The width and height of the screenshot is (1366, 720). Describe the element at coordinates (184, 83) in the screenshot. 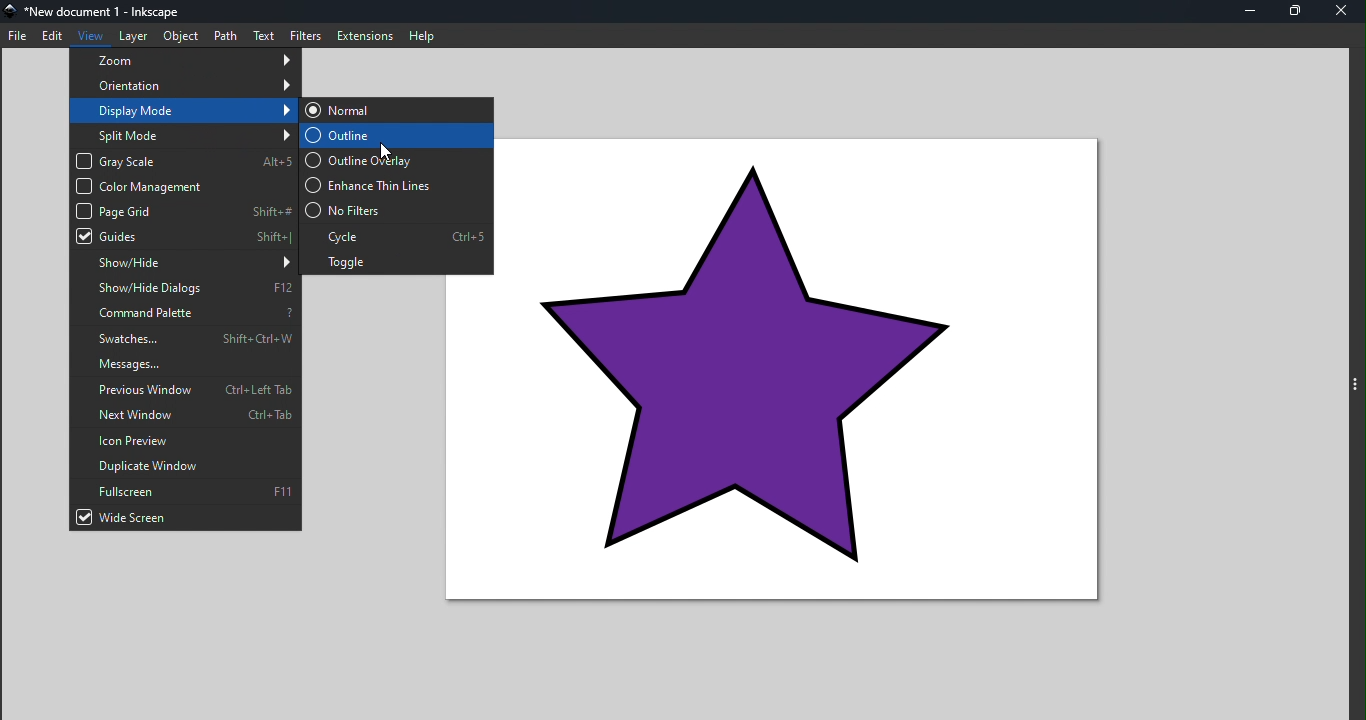

I see `Orientation` at that location.